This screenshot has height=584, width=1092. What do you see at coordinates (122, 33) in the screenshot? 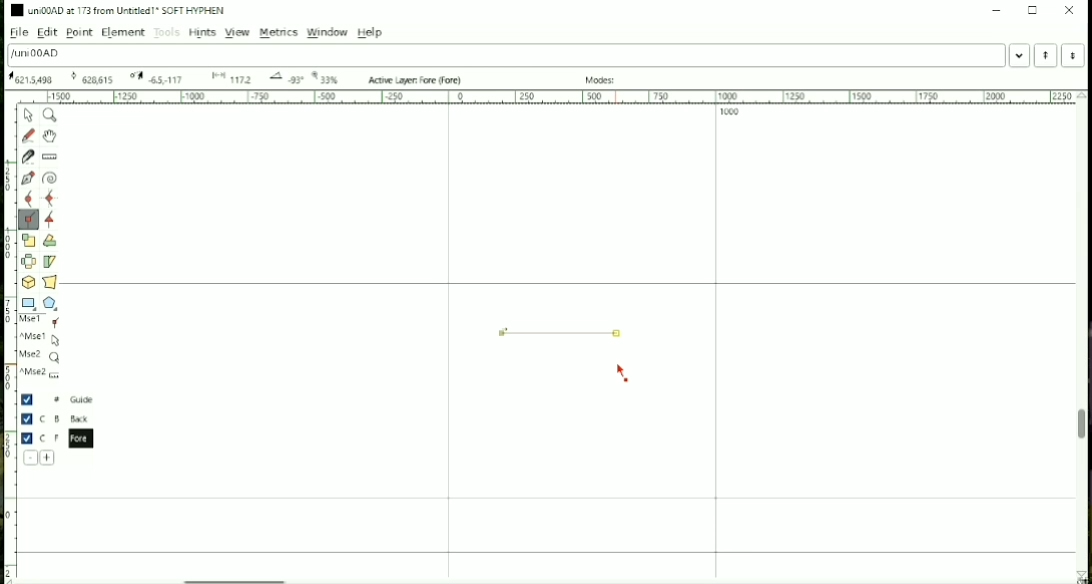
I see `Element` at bounding box center [122, 33].